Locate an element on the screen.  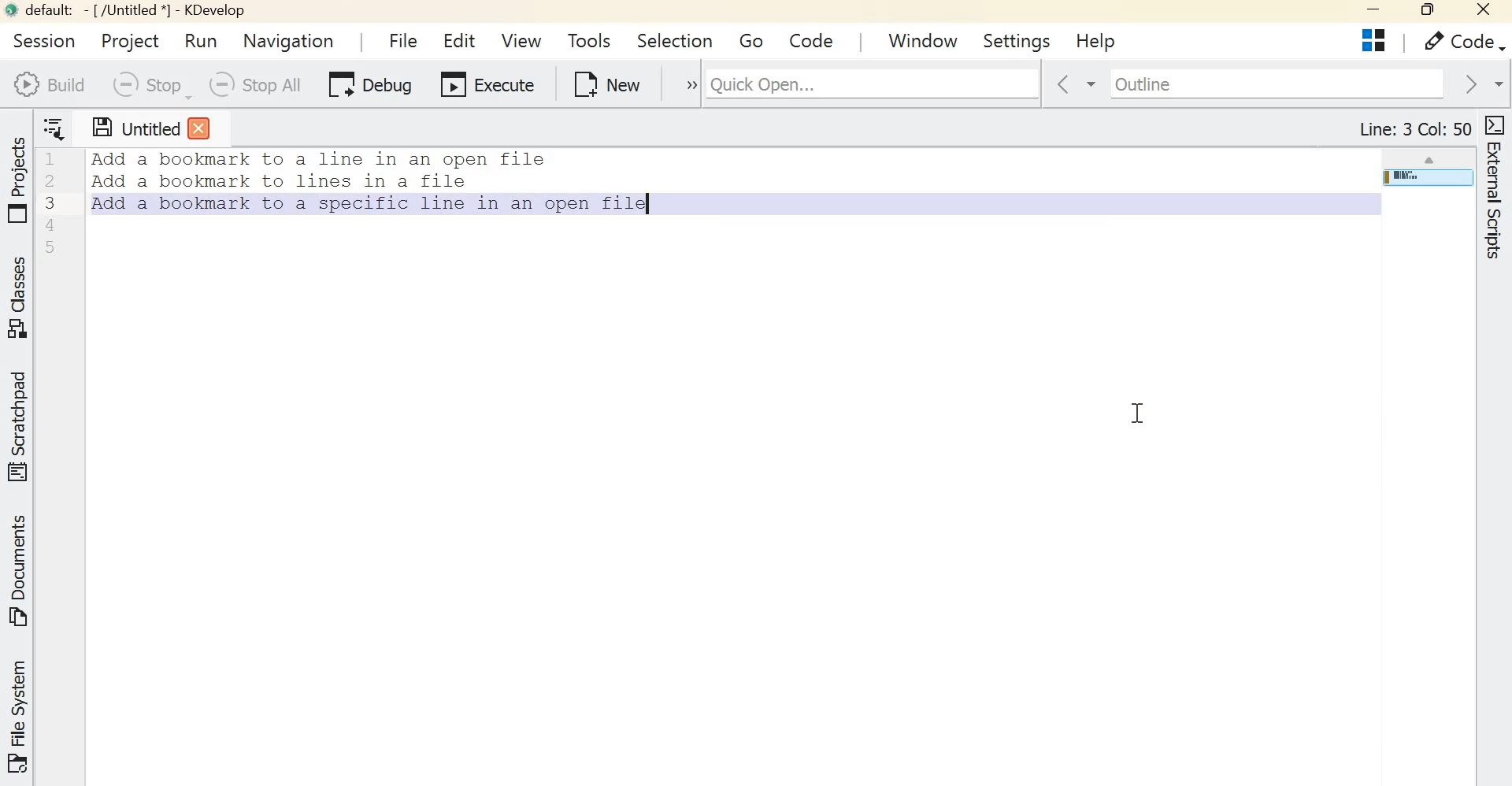
Classes is located at coordinates (20, 299).